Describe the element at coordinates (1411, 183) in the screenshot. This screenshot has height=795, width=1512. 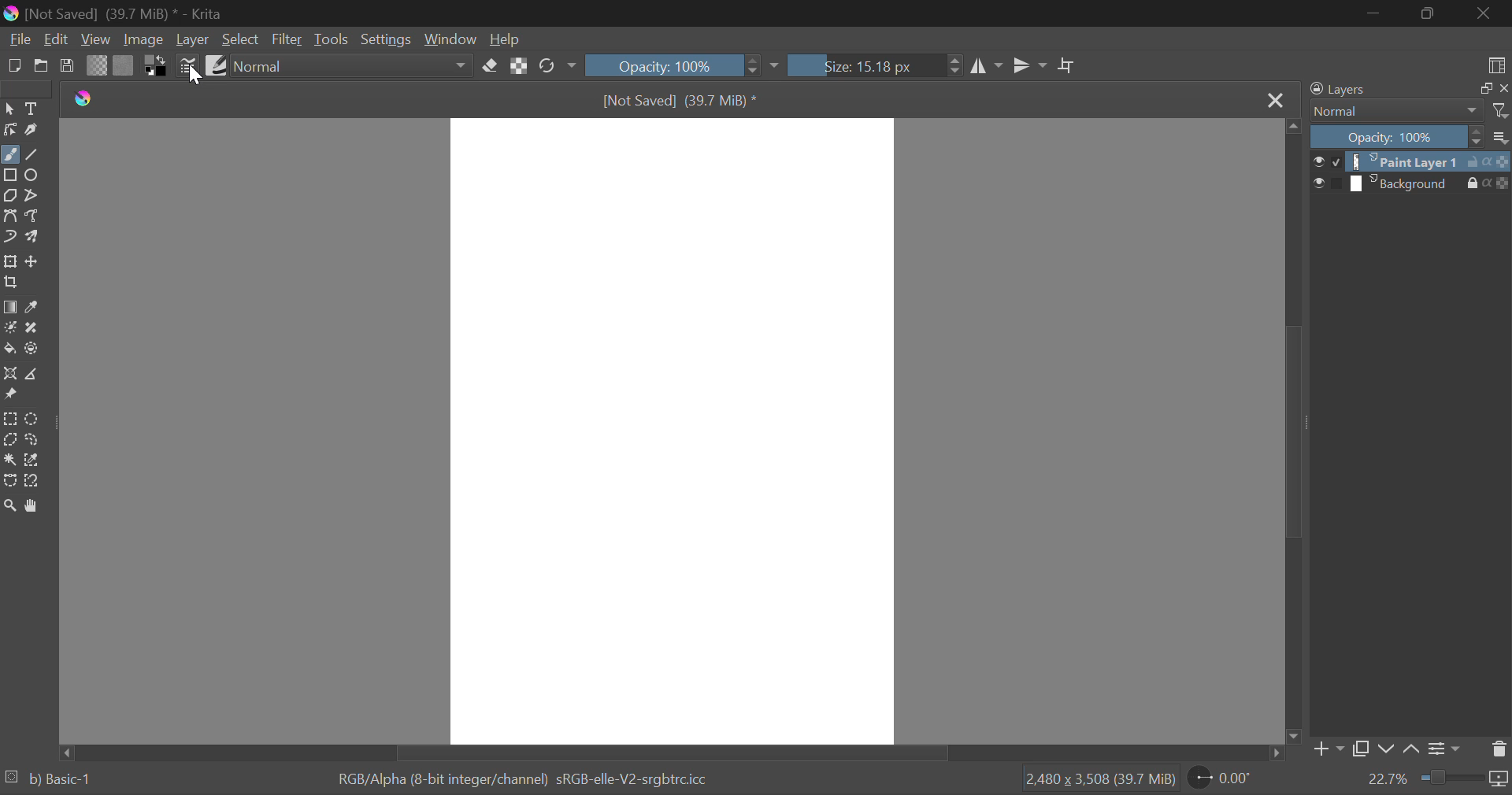
I see `Background` at that location.